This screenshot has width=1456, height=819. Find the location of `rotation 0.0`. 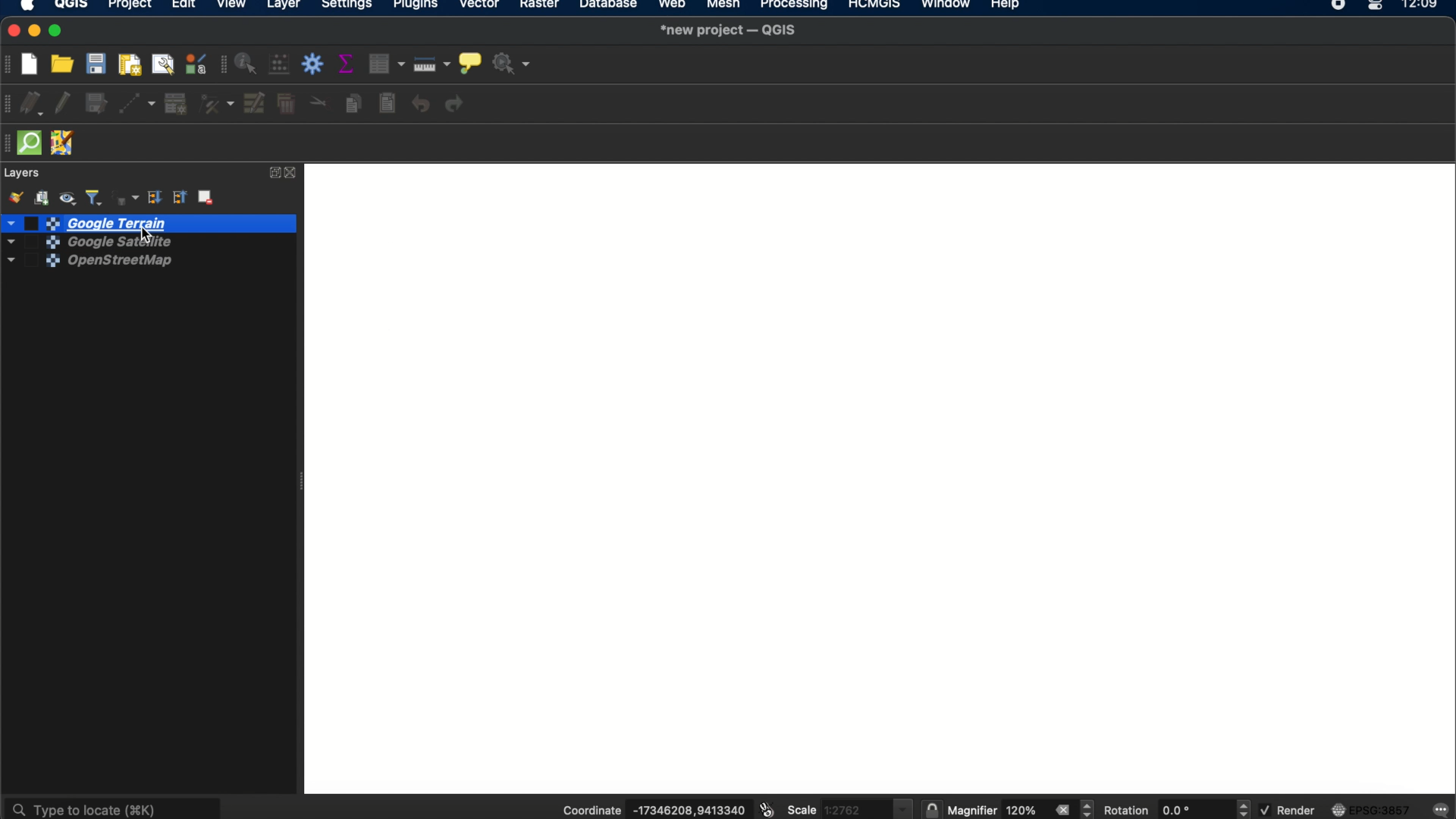

rotation 0.0 is located at coordinates (1156, 810).